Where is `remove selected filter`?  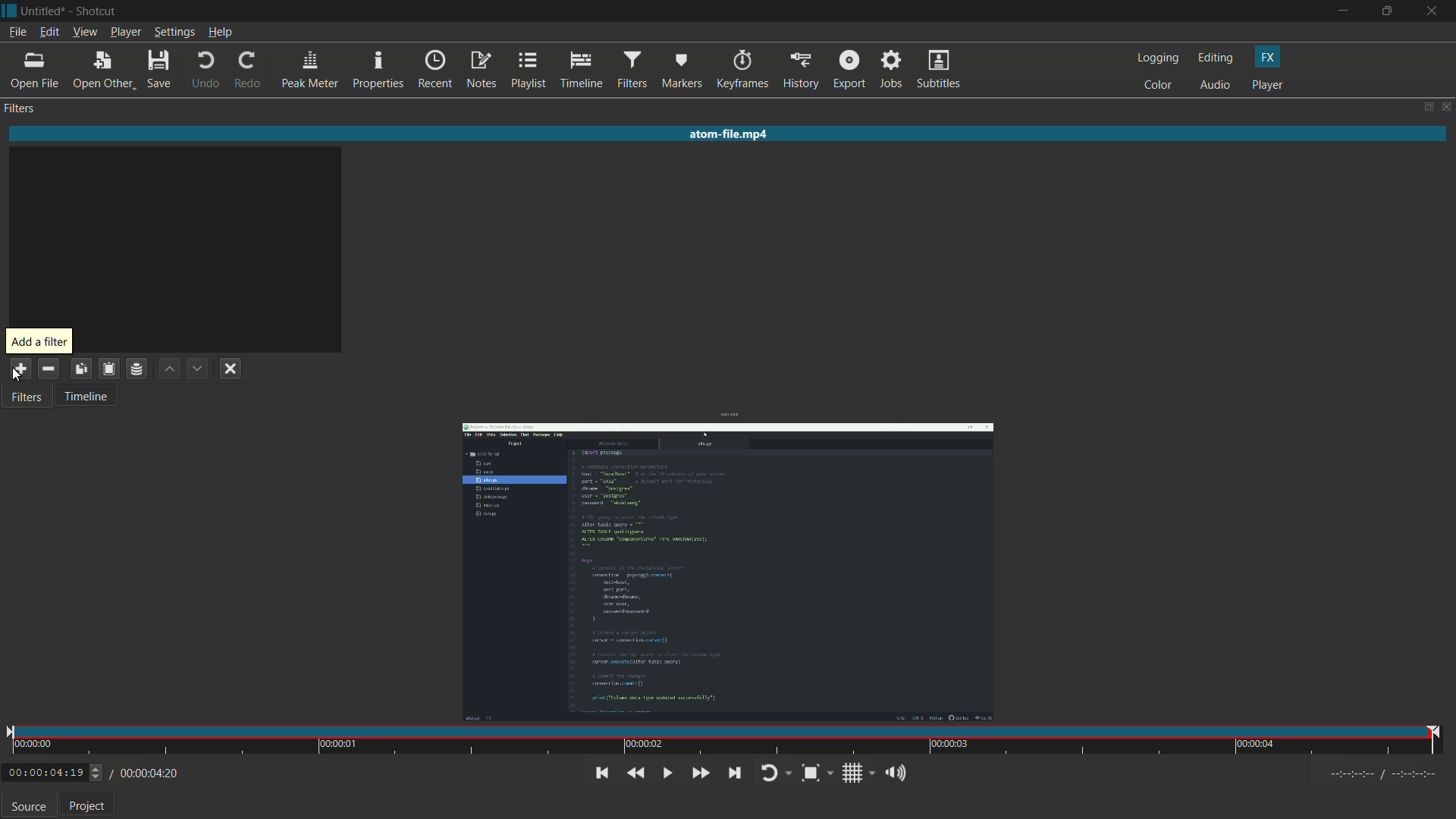 remove selected filter is located at coordinates (49, 368).